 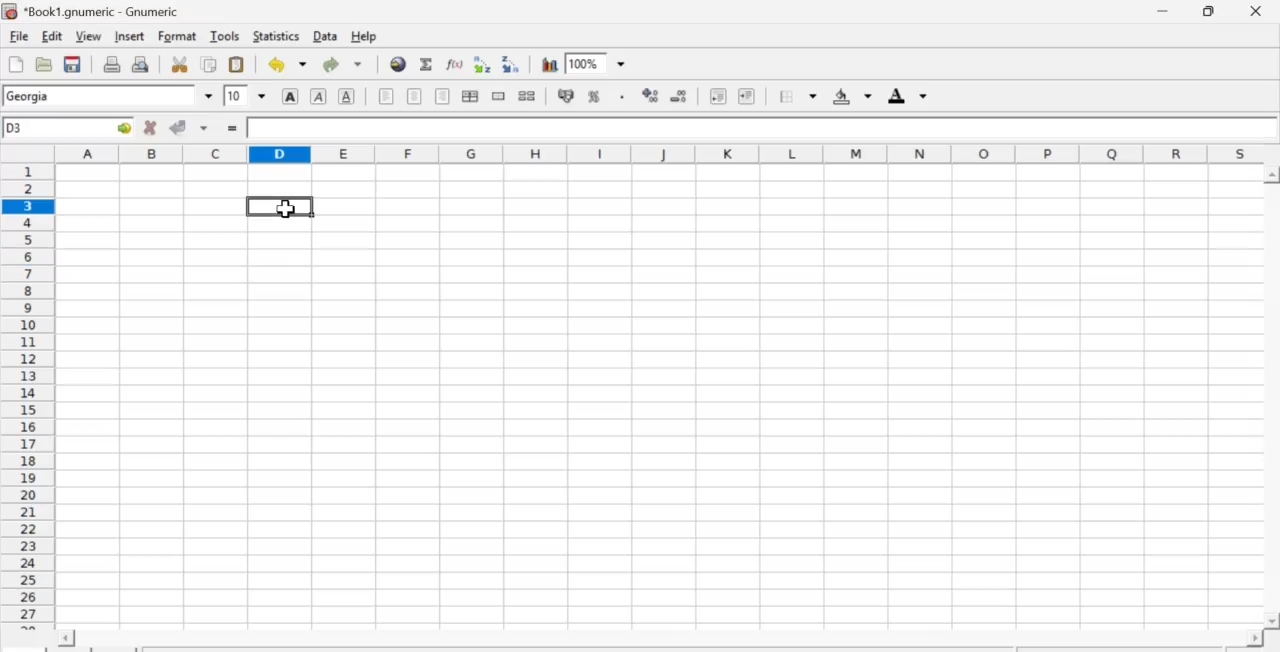 I want to click on cursor, so click(x=281, y=207).